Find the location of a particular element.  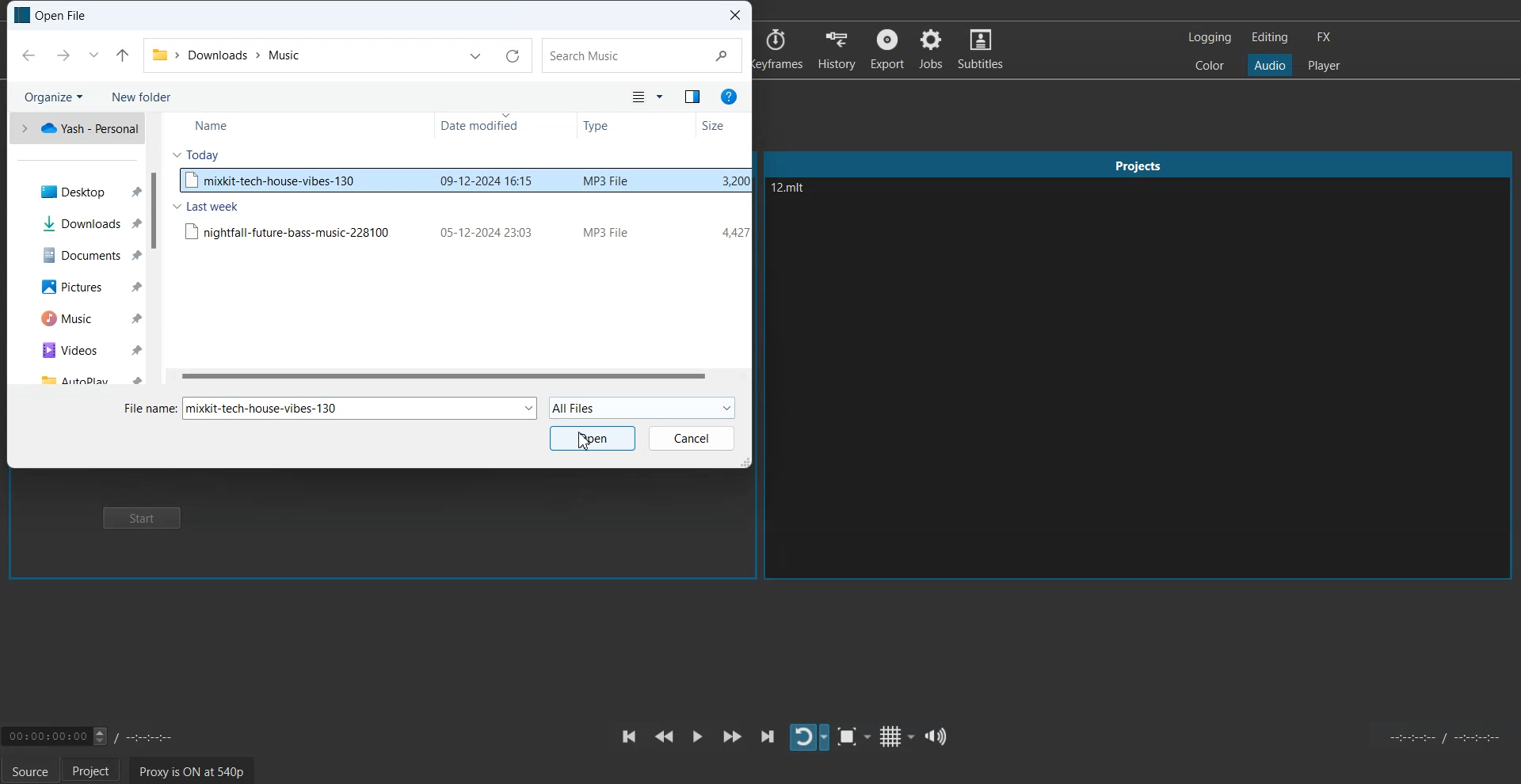

Player is located at coordinates (1324, 64).